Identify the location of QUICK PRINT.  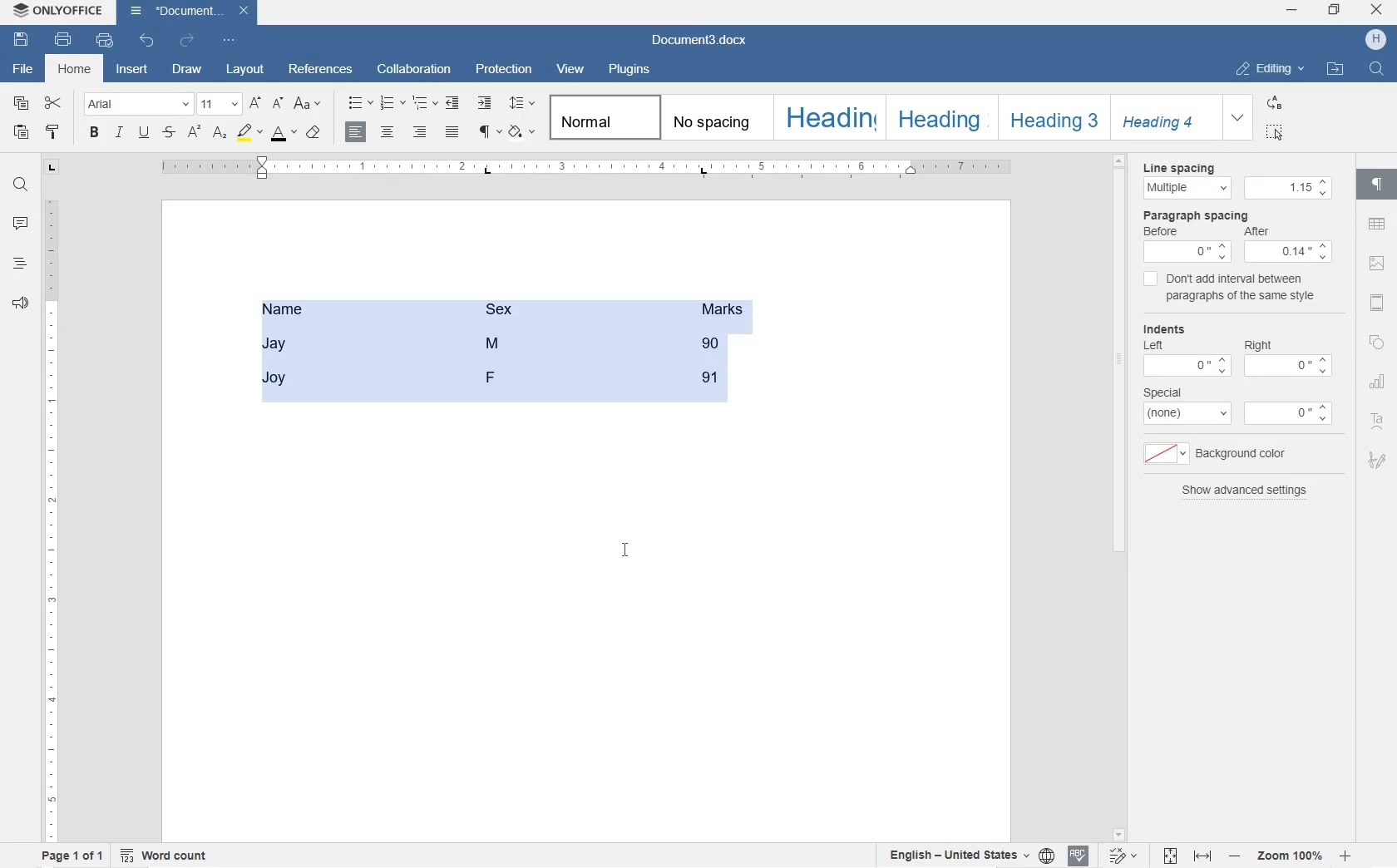
(105, 40).